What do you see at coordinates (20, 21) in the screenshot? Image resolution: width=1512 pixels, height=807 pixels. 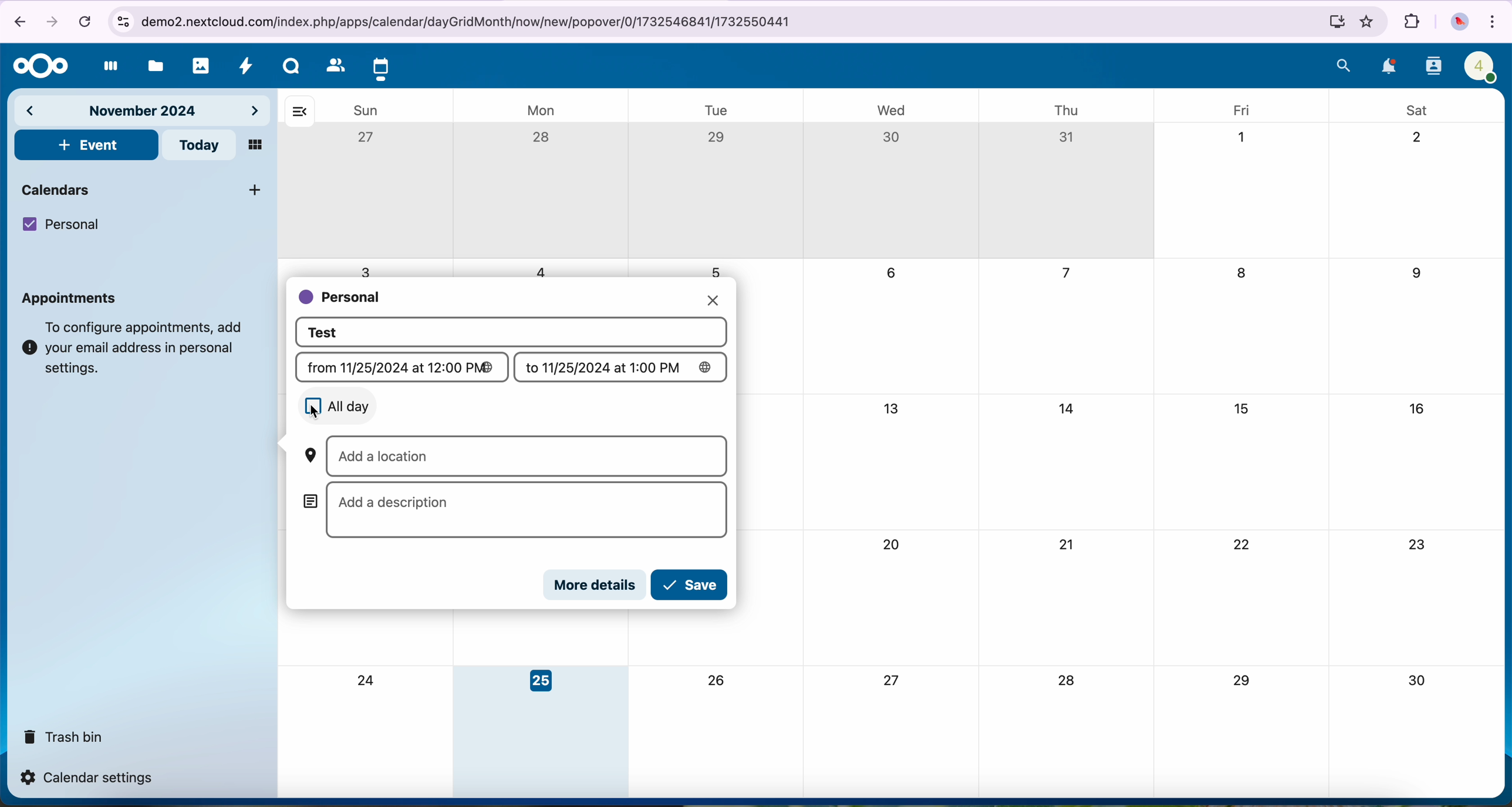 I see `navigate back` at bounding box center [20, 21].